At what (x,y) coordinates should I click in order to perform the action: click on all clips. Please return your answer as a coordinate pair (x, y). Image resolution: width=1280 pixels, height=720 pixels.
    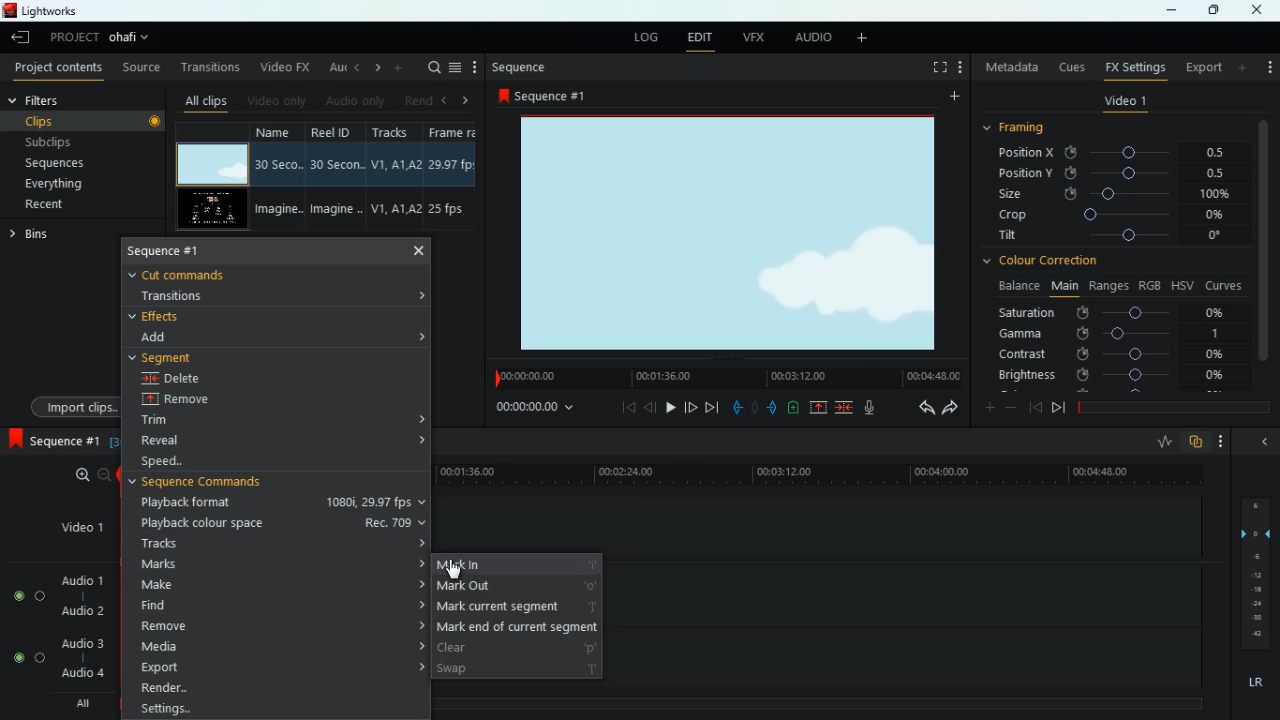
    Looking at the image, I should click on (203, 101).